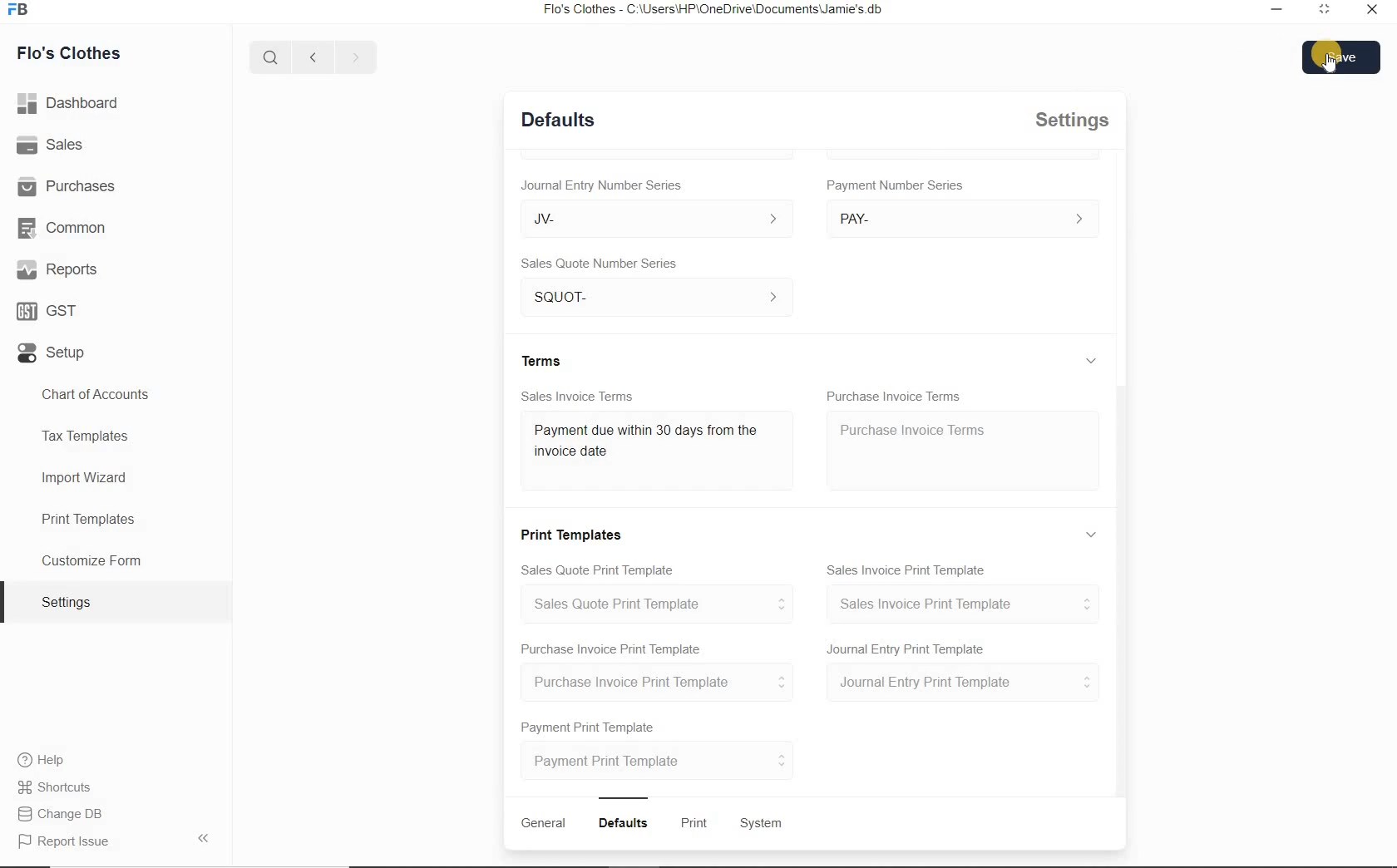 This screenshot has height=868, width=1397. I want to click on Sales Quote Number Series, so click(599, 264).